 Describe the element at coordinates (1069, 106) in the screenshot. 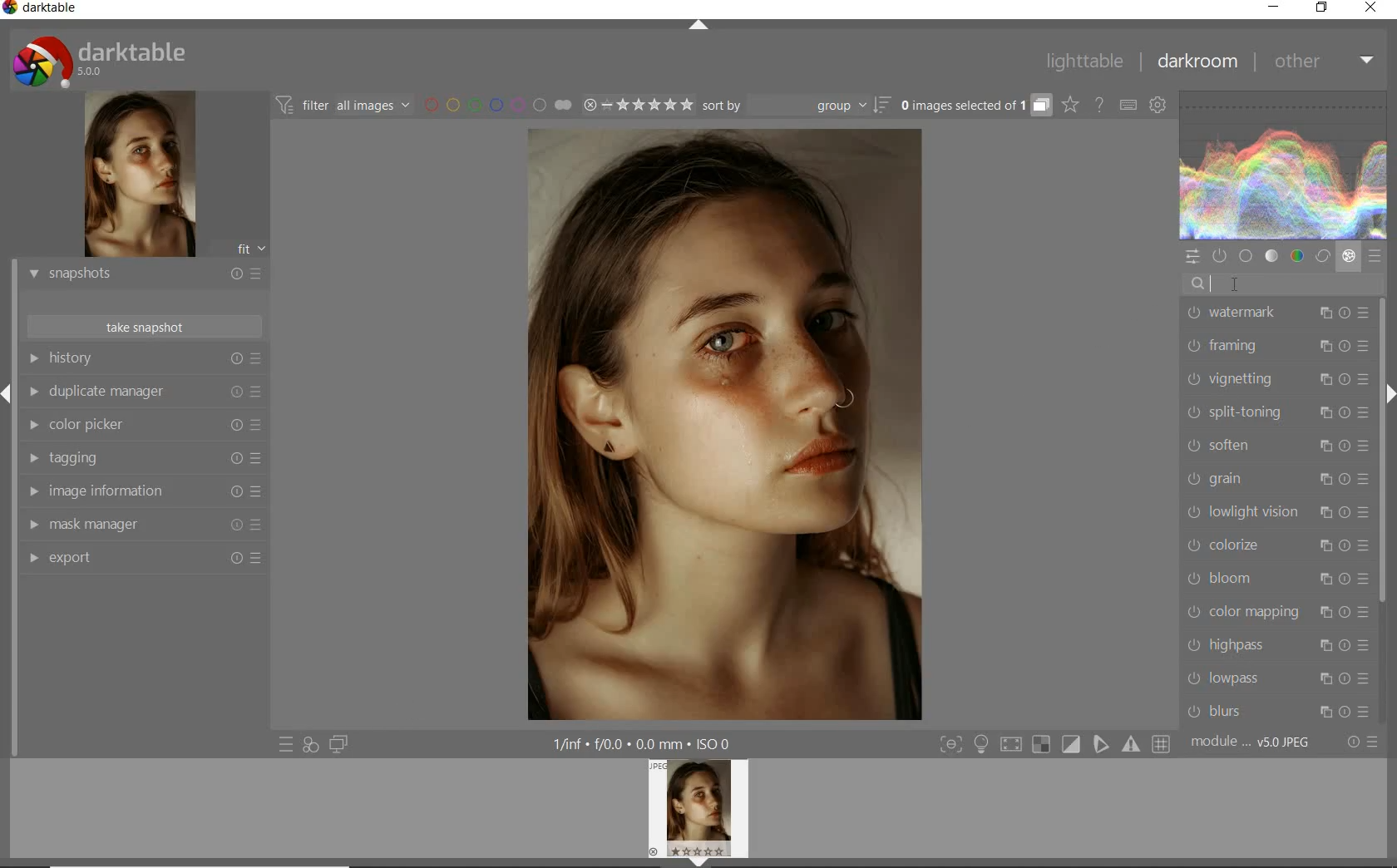

I see `change overlays shown on thumbnails` at that location.